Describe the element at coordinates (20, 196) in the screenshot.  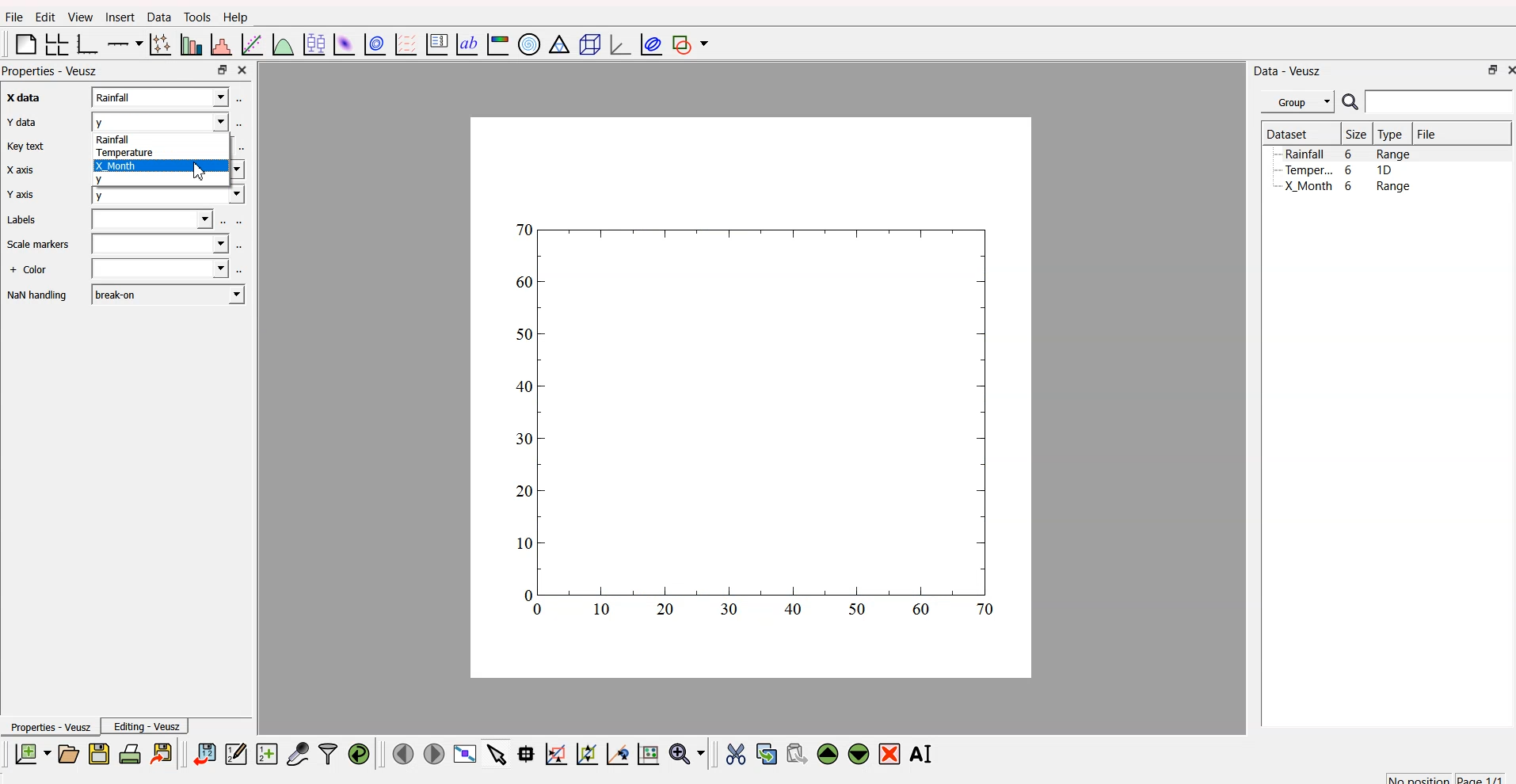
I see `Y axis` at that location.